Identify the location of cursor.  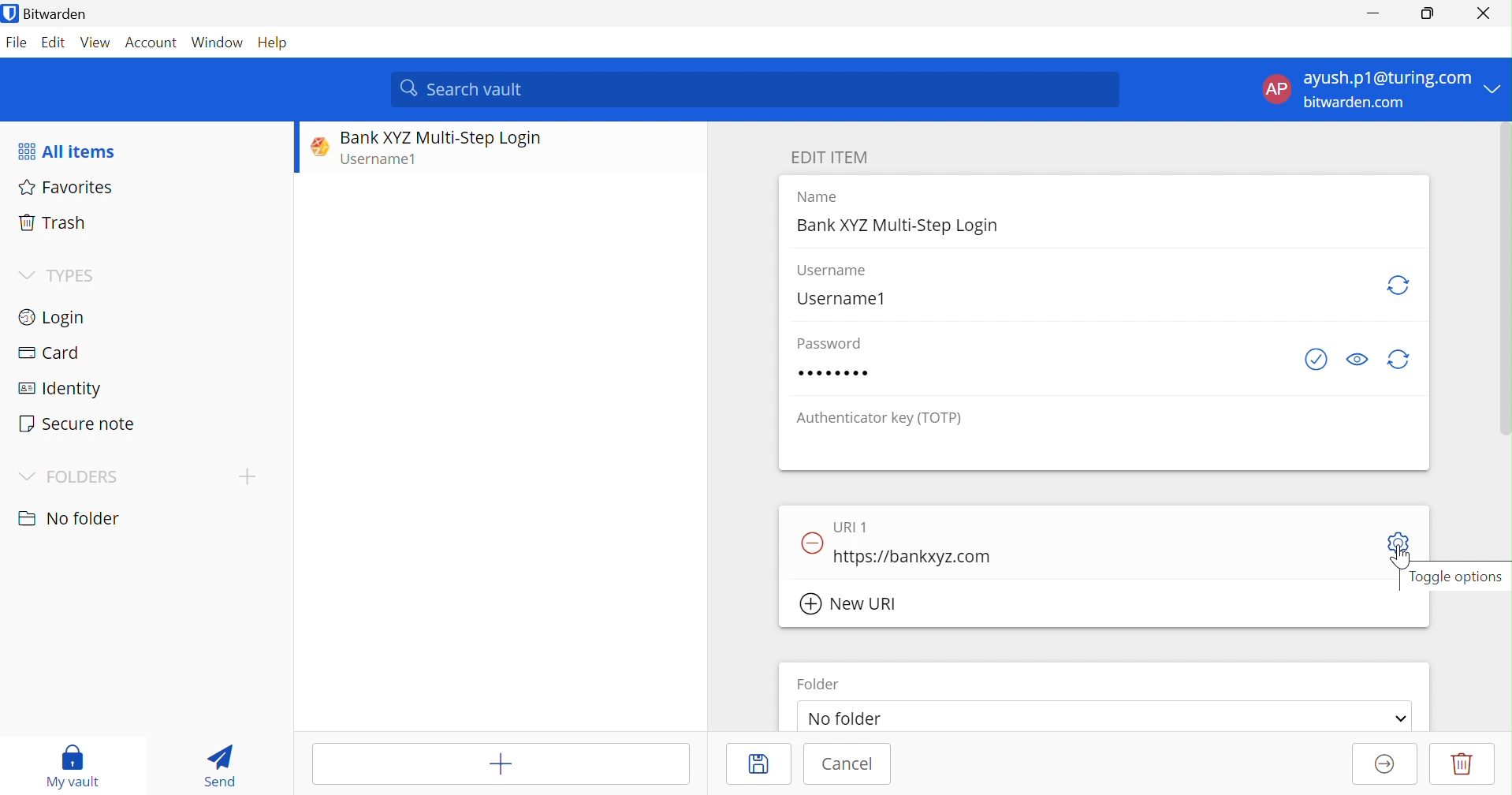
(1404, 558).